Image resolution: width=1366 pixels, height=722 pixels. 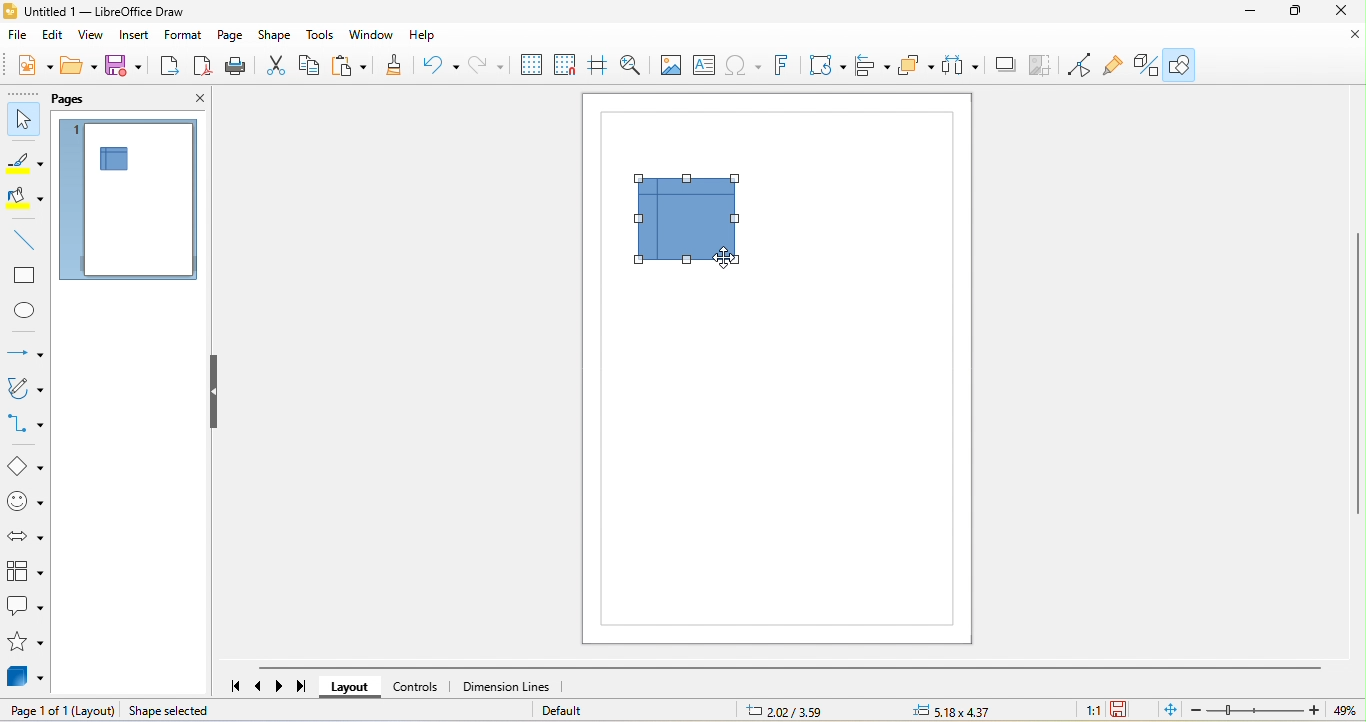 What do you see at coordinates (1316, 711) in the screenshot?
I see `Zoom in ` at bounding box center [1316, 711].